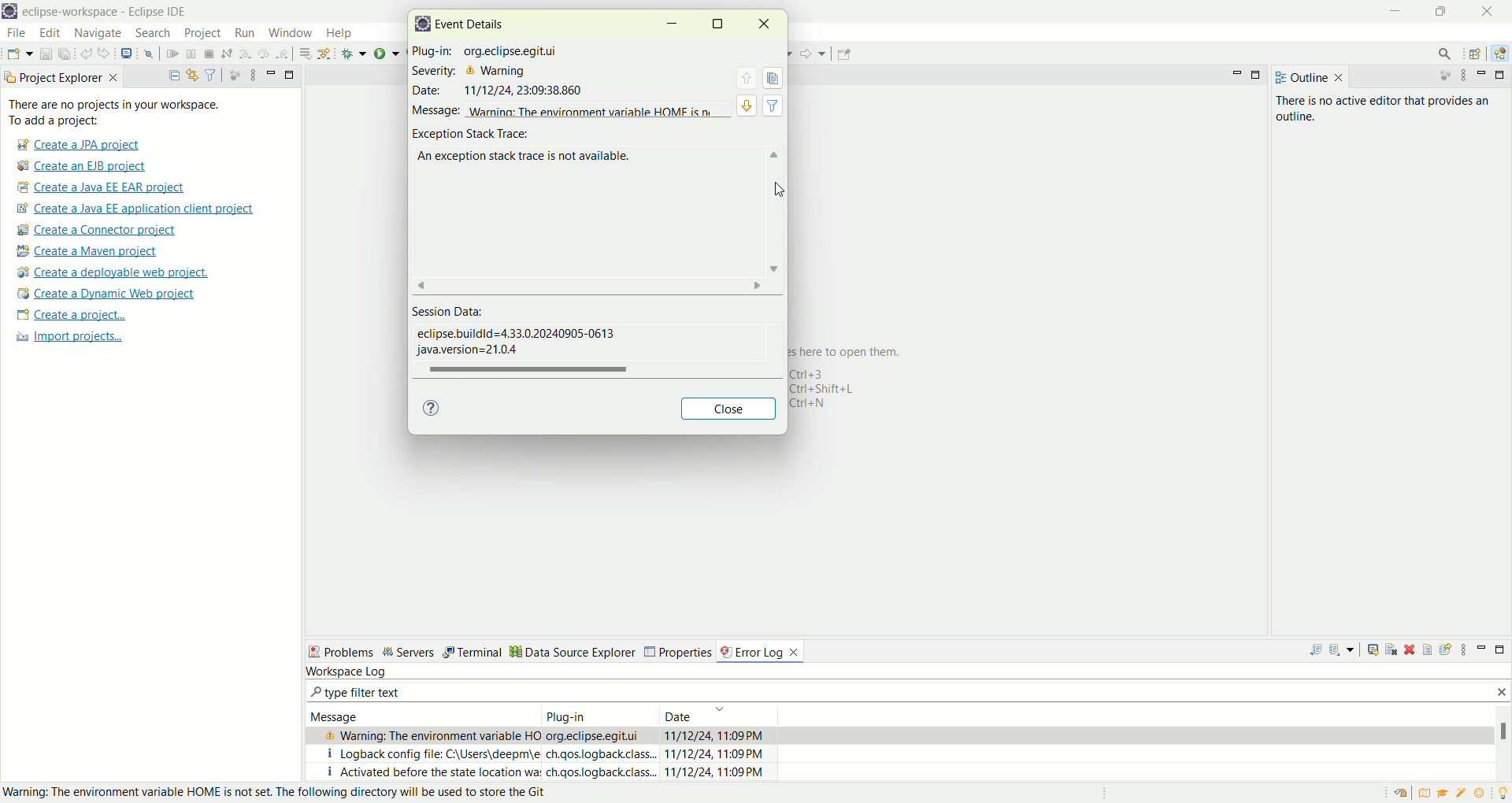 Image resolution: width=1512 pixels, height=803 pixels. Describe the element at coordinates (261, 54) in the screenshot. I see `step over` at that location.